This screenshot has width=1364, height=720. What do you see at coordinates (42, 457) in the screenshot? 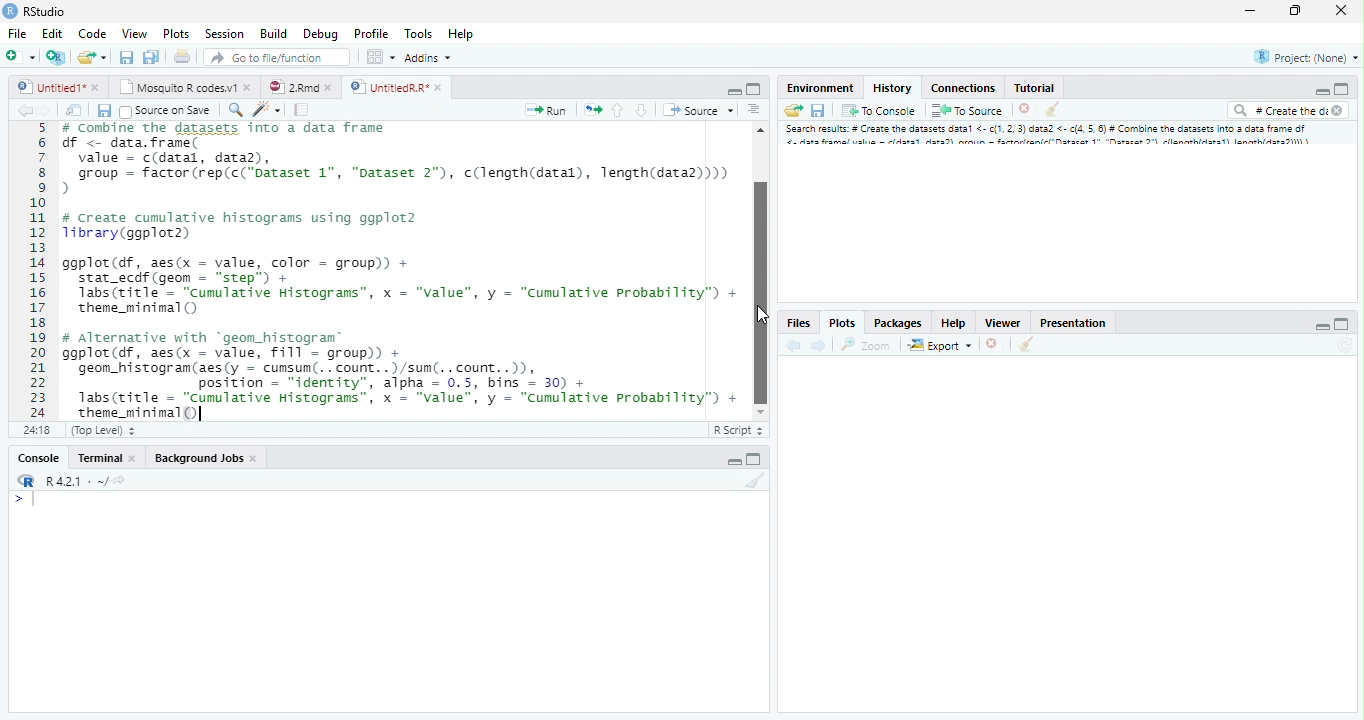
I see `Console` at bounding box center [42, 457].